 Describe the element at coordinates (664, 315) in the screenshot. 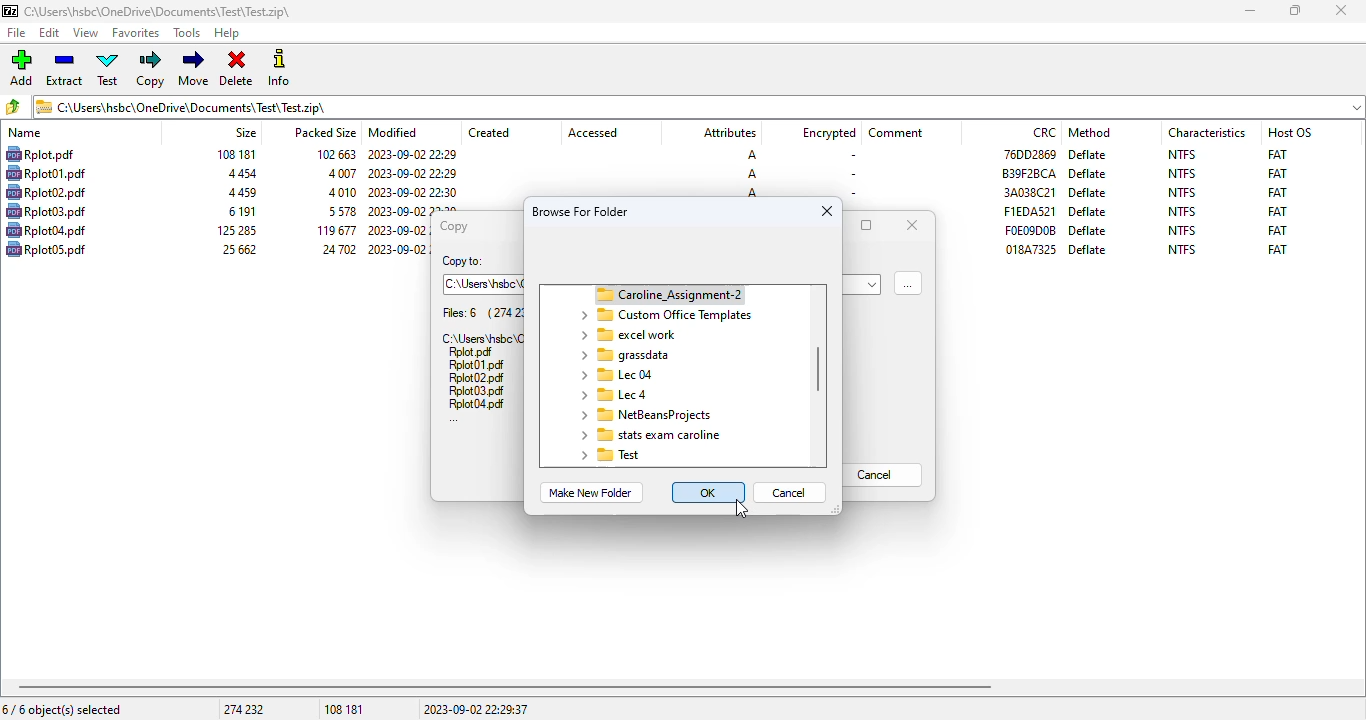

I see `folder name` at that location.